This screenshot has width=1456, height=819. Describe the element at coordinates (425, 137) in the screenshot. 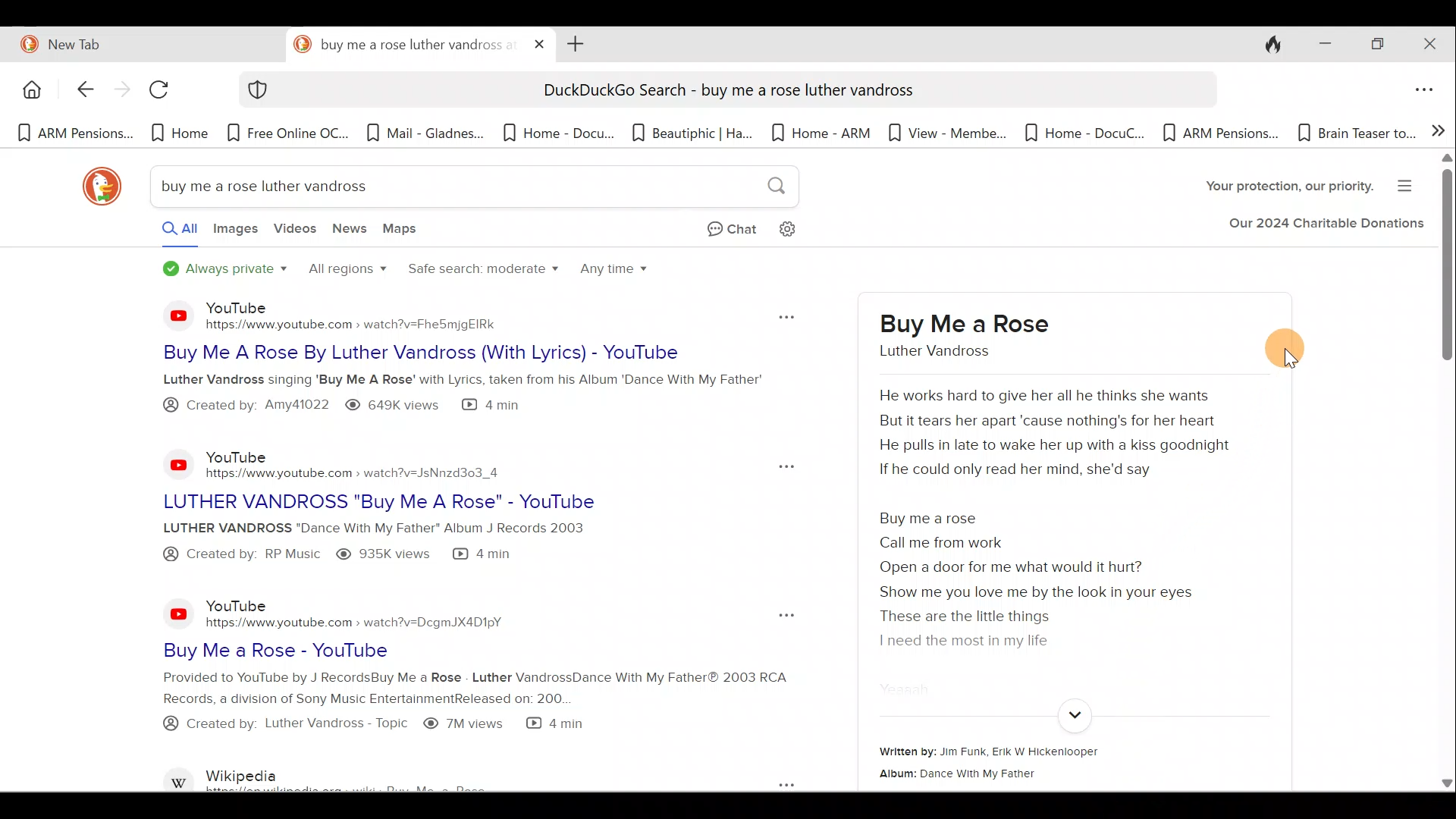

I see `Bookmark 4` at that location.